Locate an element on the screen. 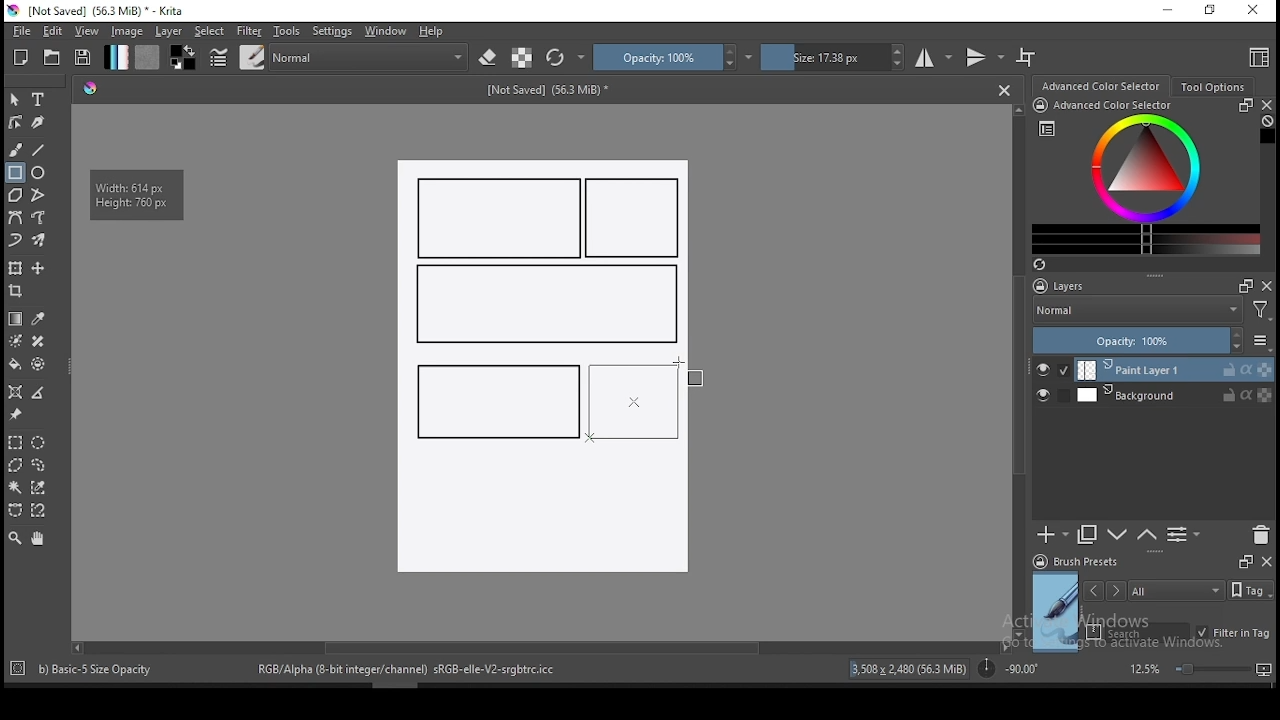 This screenshot has height=720, width=1280. move layer one step down is located at coordinates (1147, 535).